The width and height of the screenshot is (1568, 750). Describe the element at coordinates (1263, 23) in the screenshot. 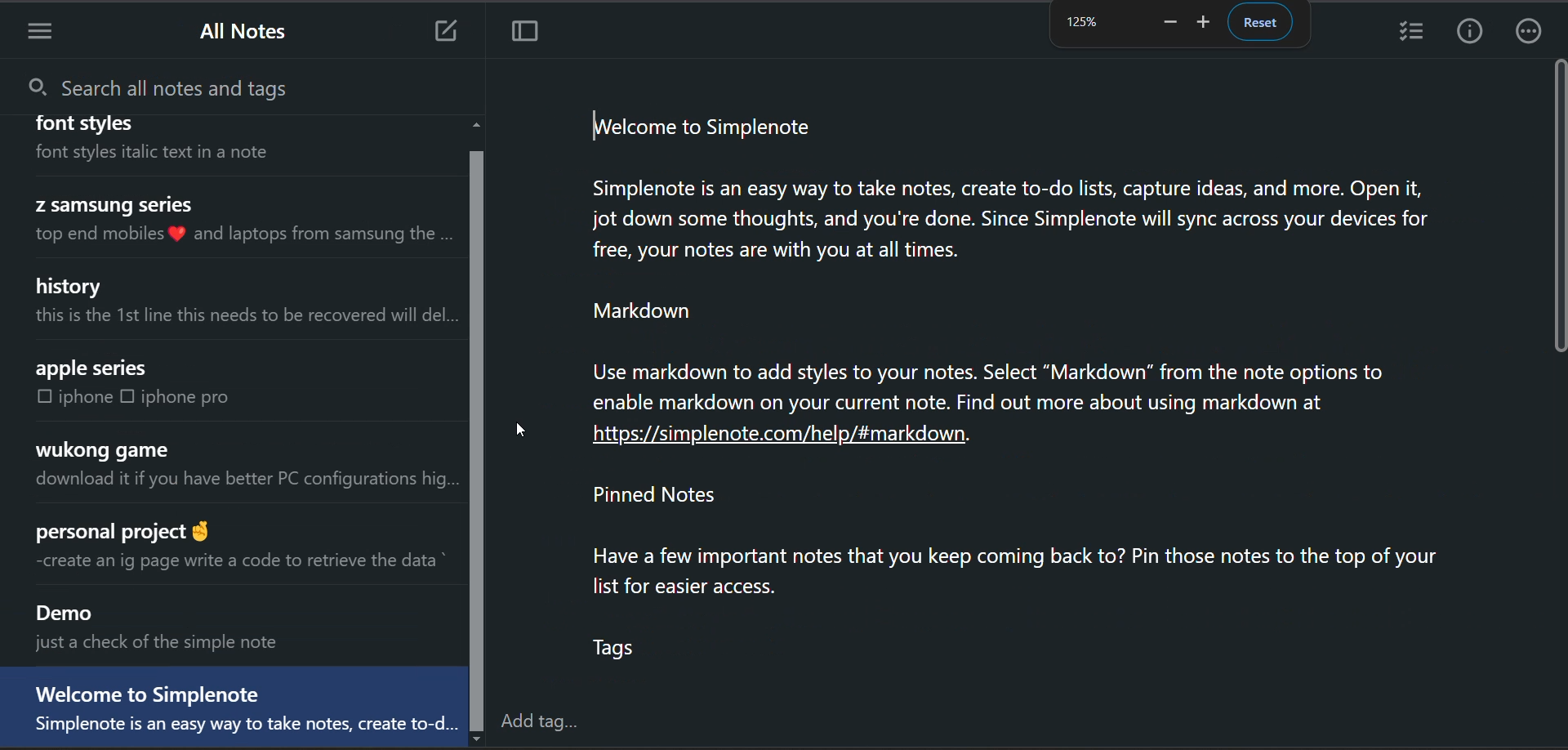

I see `reset` at that location.